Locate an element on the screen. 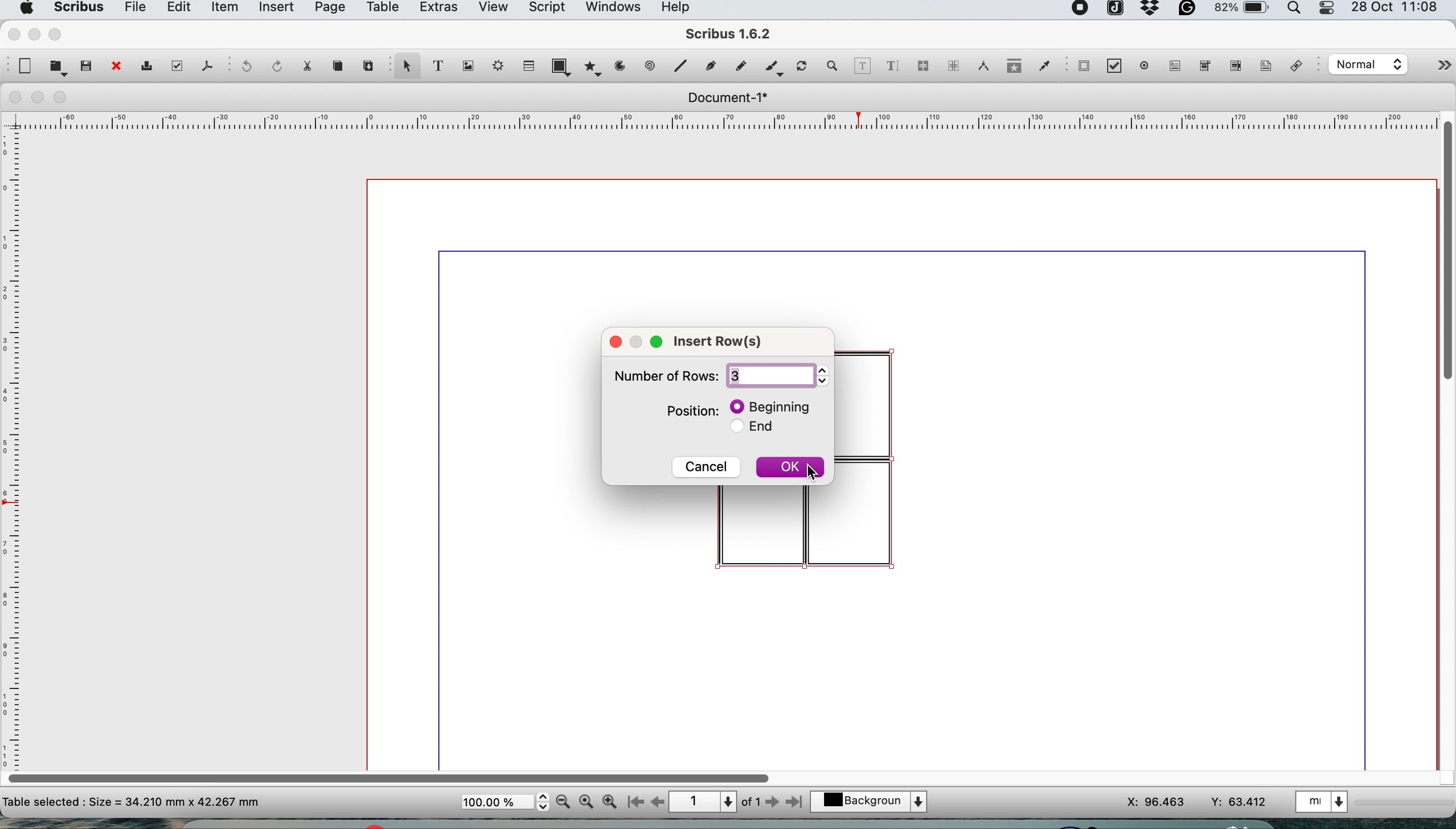  system logo is located at coordinates (24, 9).